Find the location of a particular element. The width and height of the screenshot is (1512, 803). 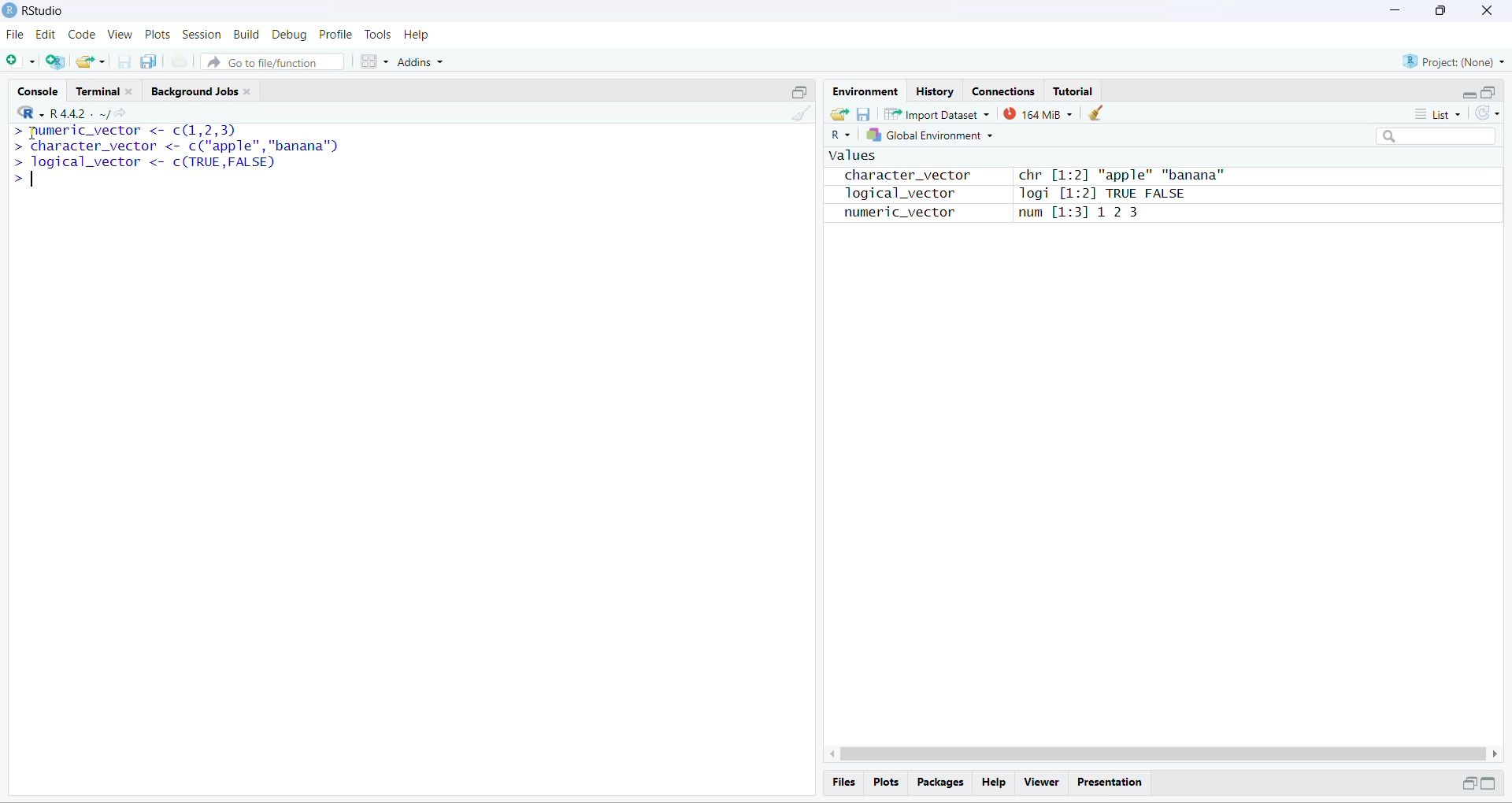

print is located at coordinates (180, 61).